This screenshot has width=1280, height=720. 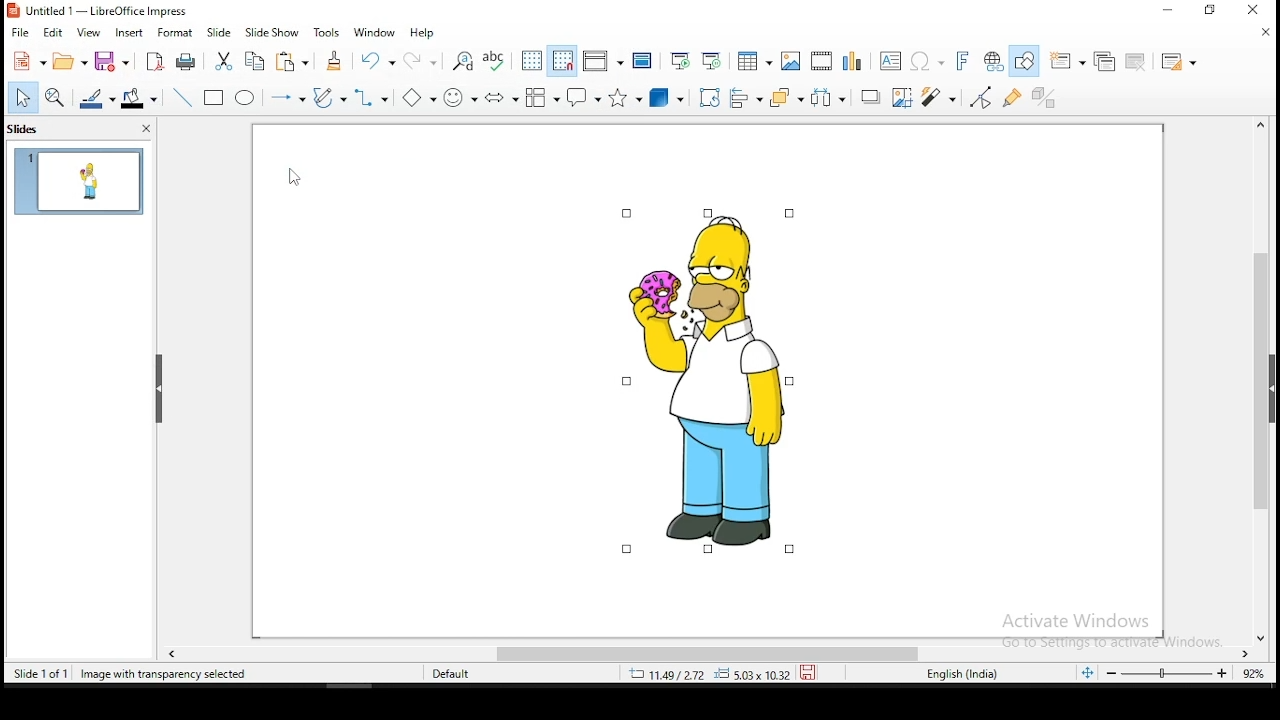 What do you see at coordinates (715, 59) in the screenshot?
I see `start from current slide` at bounding box center [715, 59].